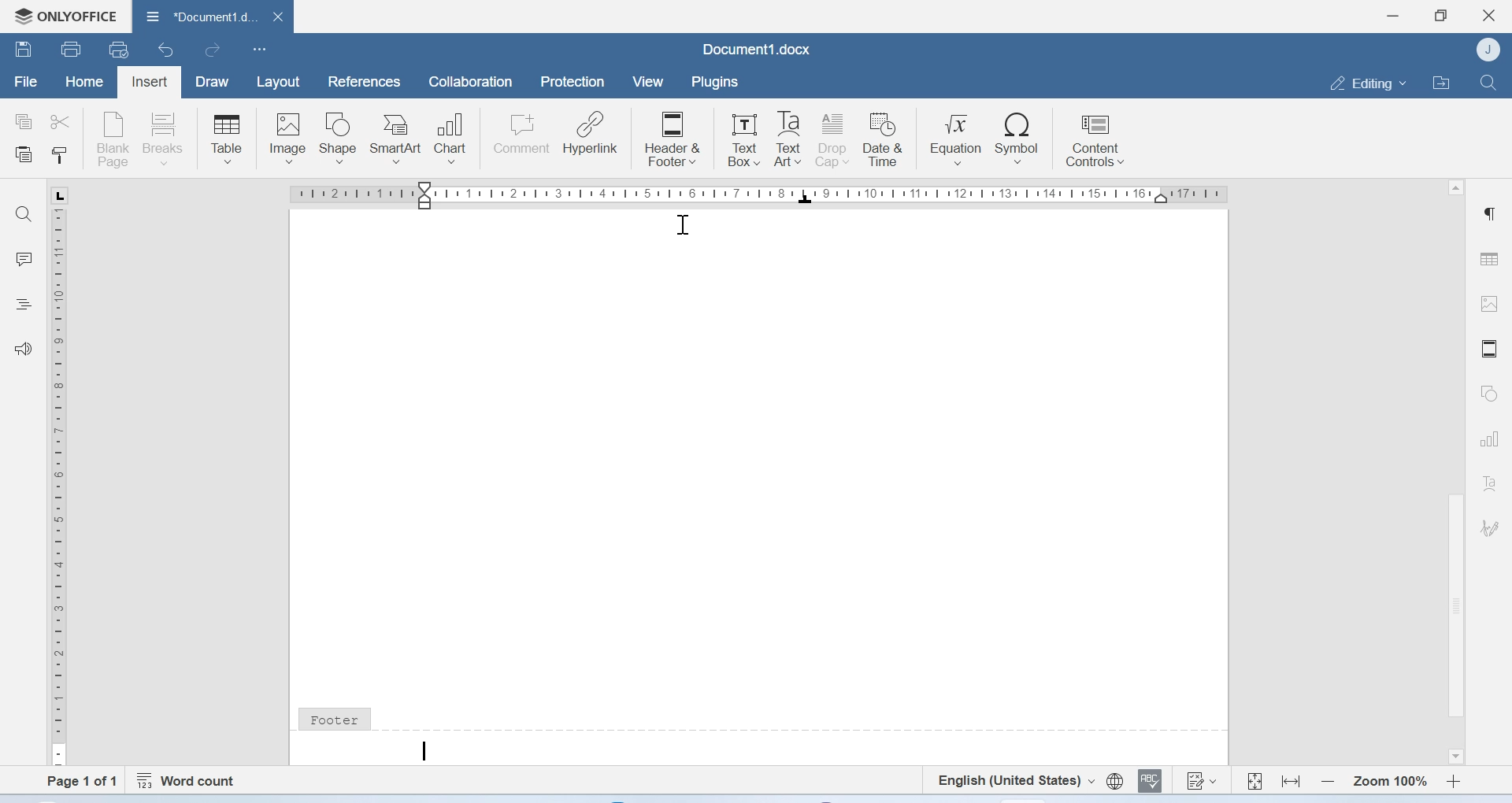 This screenshot has height=803, width=1512. What do you see at coordinates (721, 82) in the screenshot?
I see `plugins` at bounding box center [721, 82].